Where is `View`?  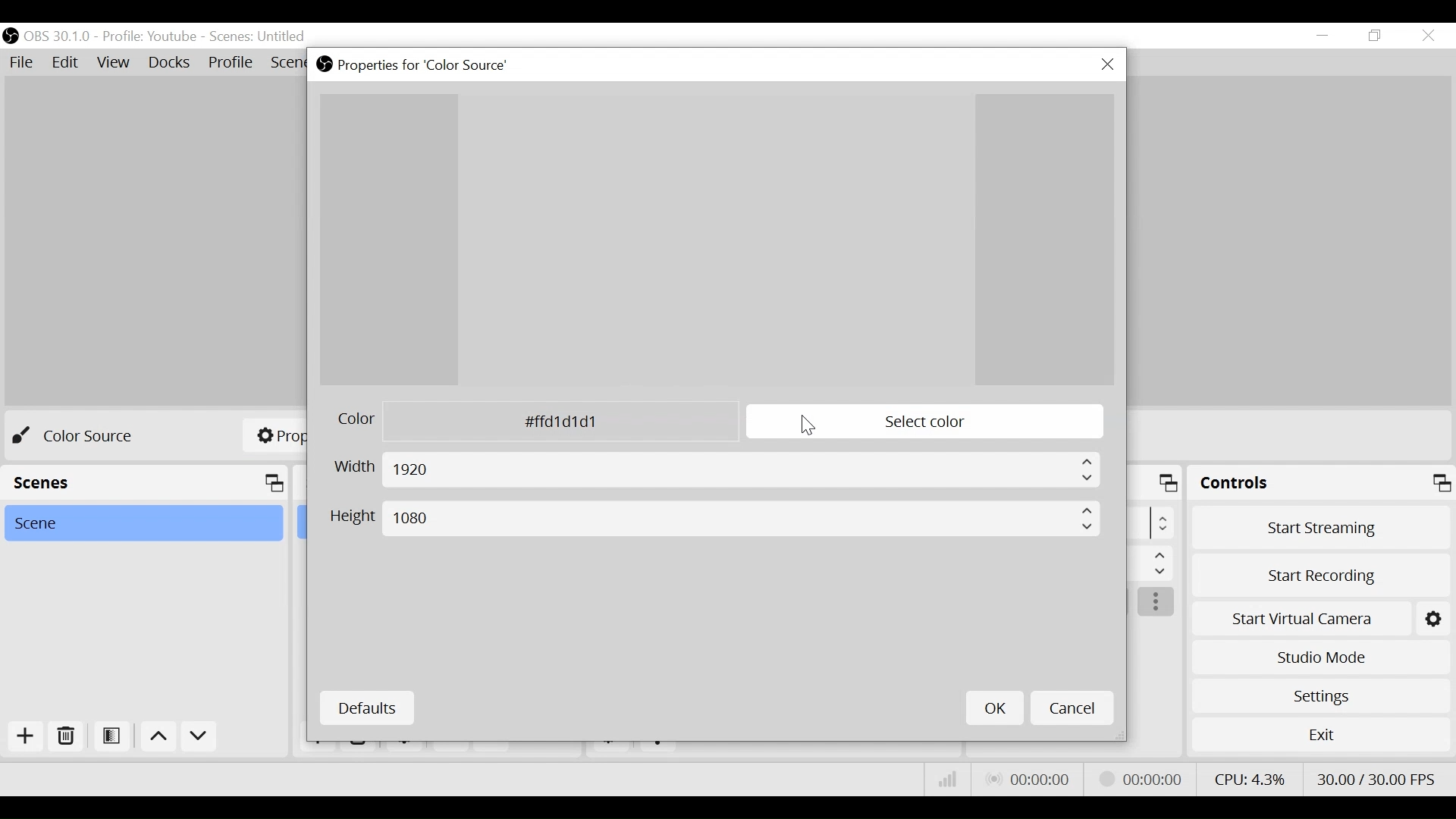
View is located at coordinates (112, 62).